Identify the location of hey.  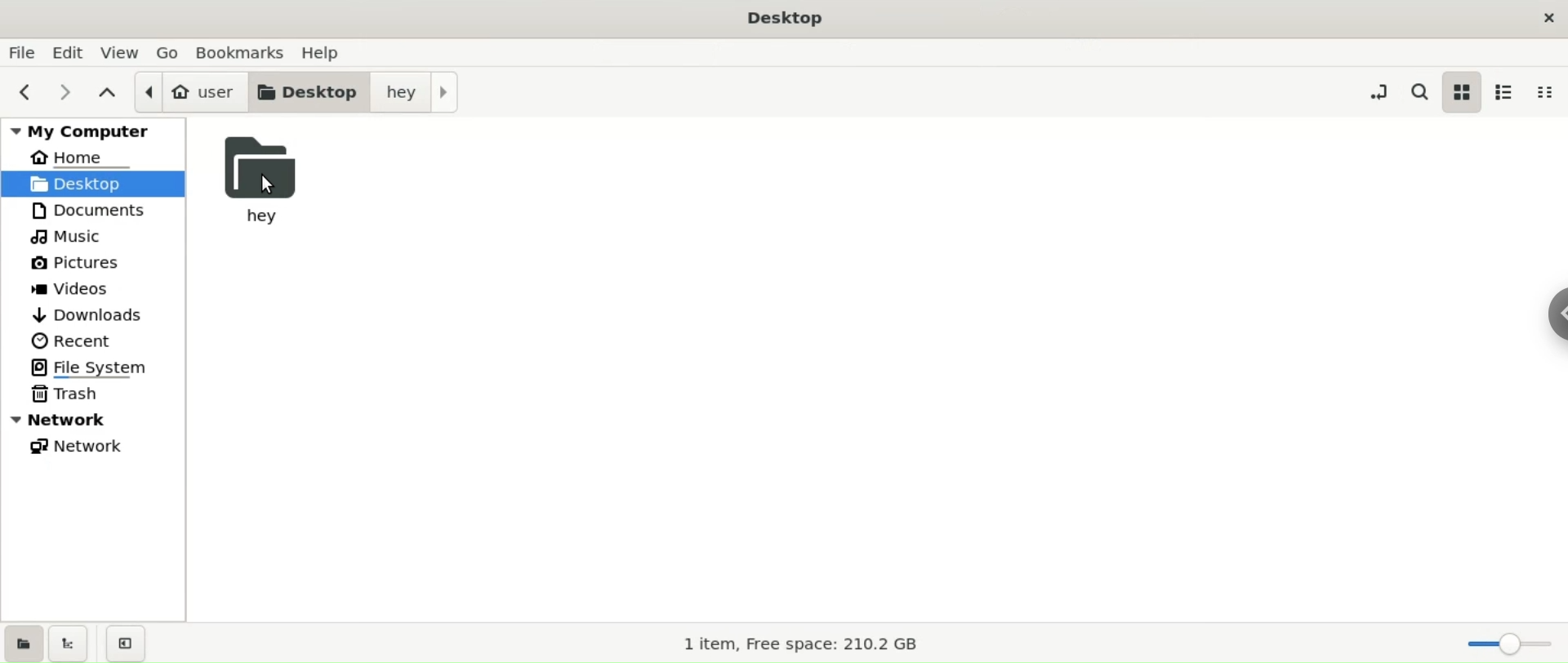
(271, 176).